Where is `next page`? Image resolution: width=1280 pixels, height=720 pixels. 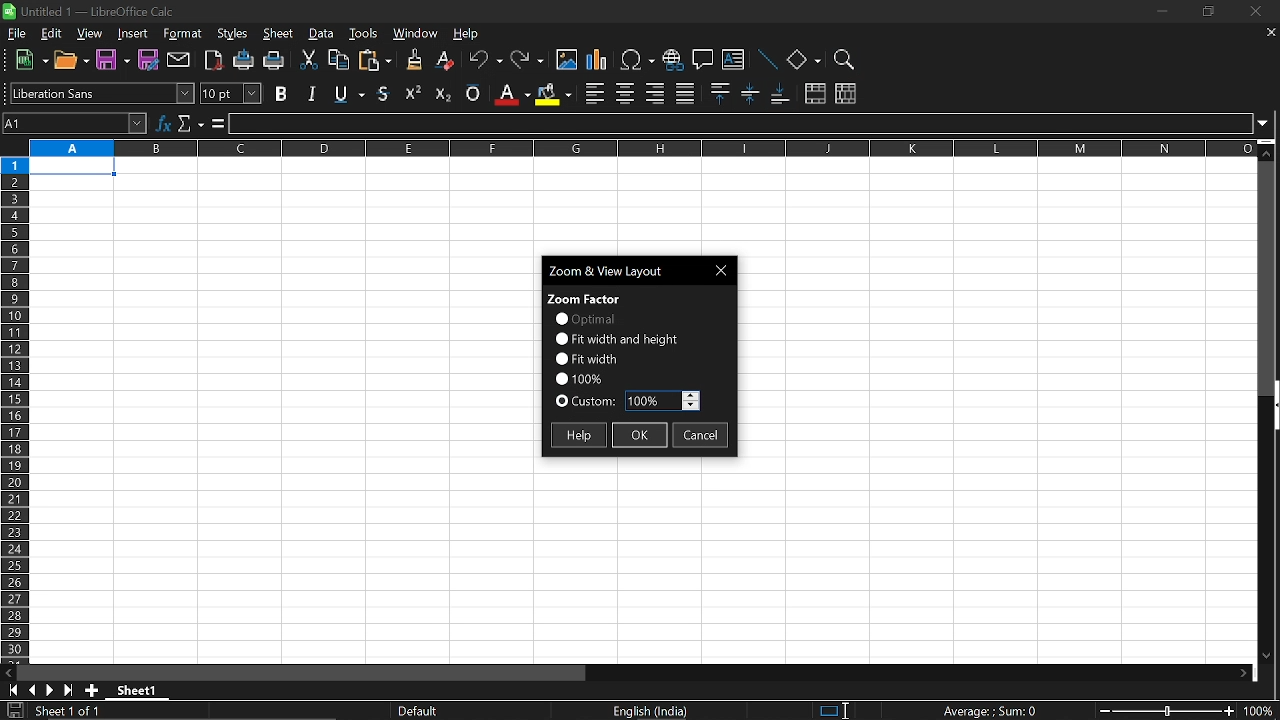
next page is located at coordinates (50, 691).